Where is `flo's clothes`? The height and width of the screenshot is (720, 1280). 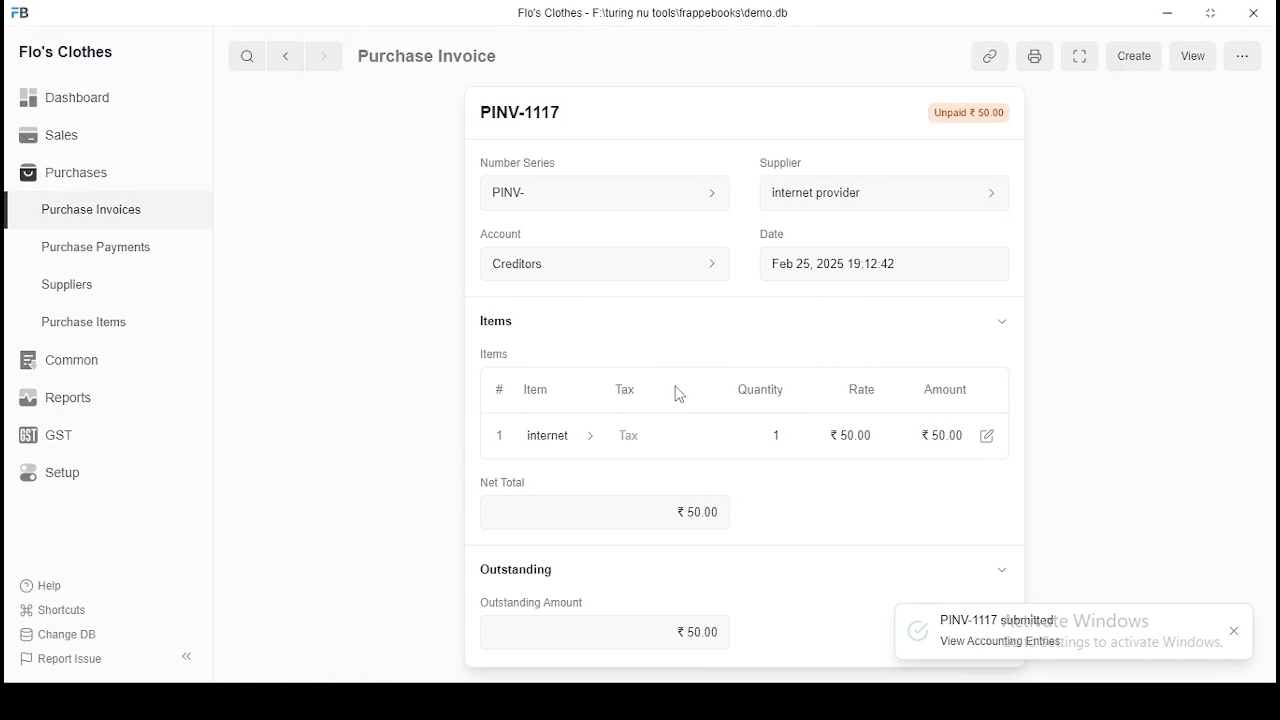 flo's clothes is located at coordinates (69, 51).